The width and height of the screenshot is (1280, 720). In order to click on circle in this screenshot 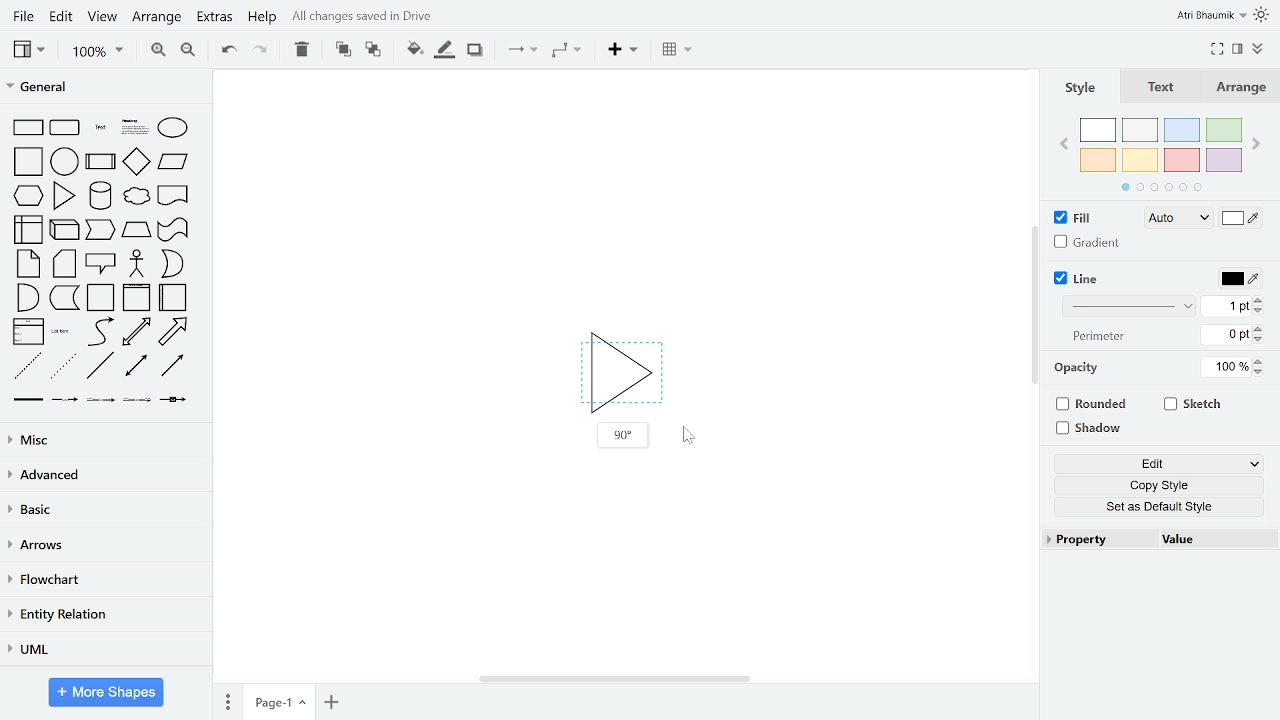, I will do `click(65, 161)`.